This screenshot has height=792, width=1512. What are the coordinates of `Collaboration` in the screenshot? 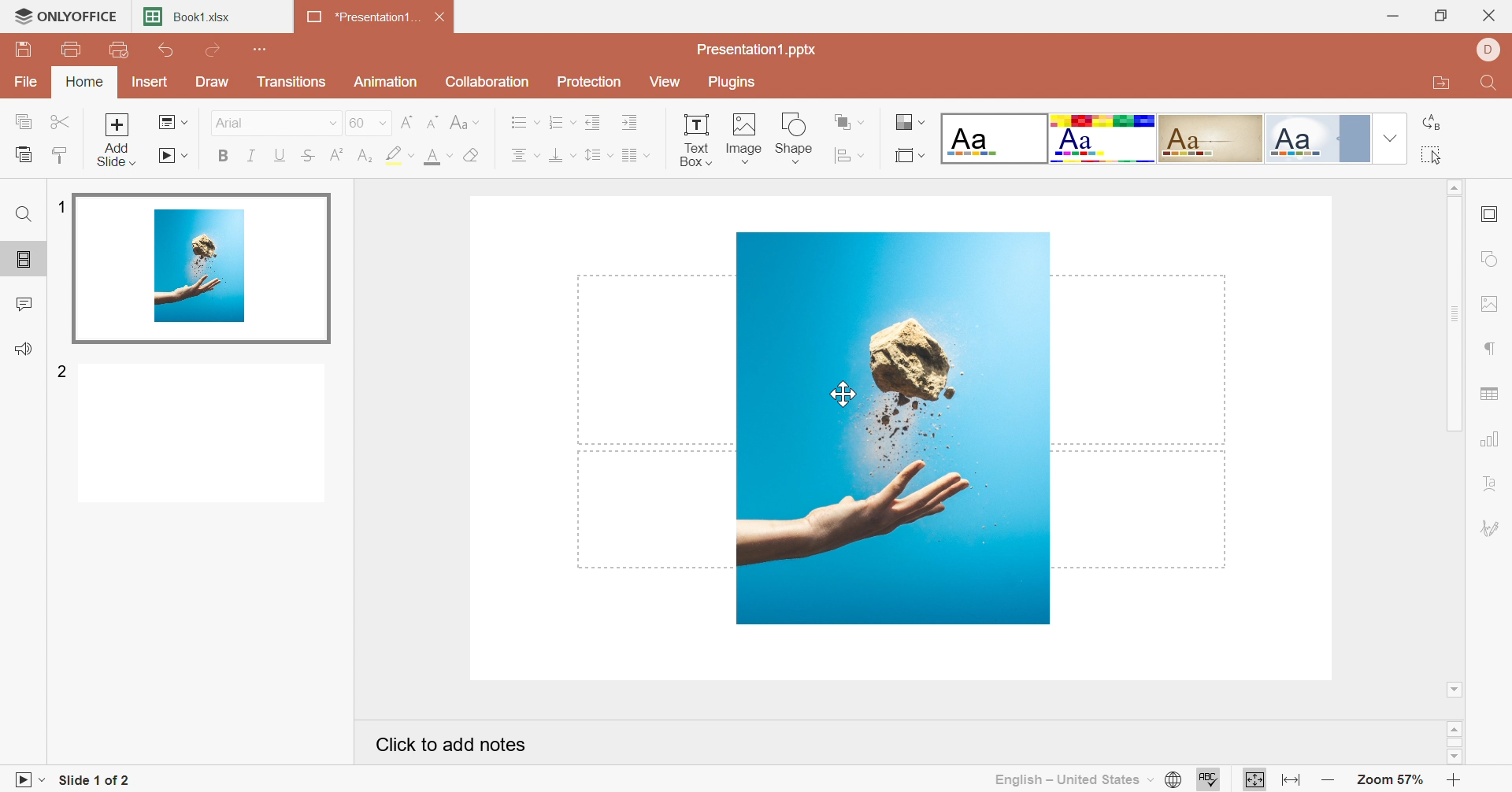 It's located at (489, 81).